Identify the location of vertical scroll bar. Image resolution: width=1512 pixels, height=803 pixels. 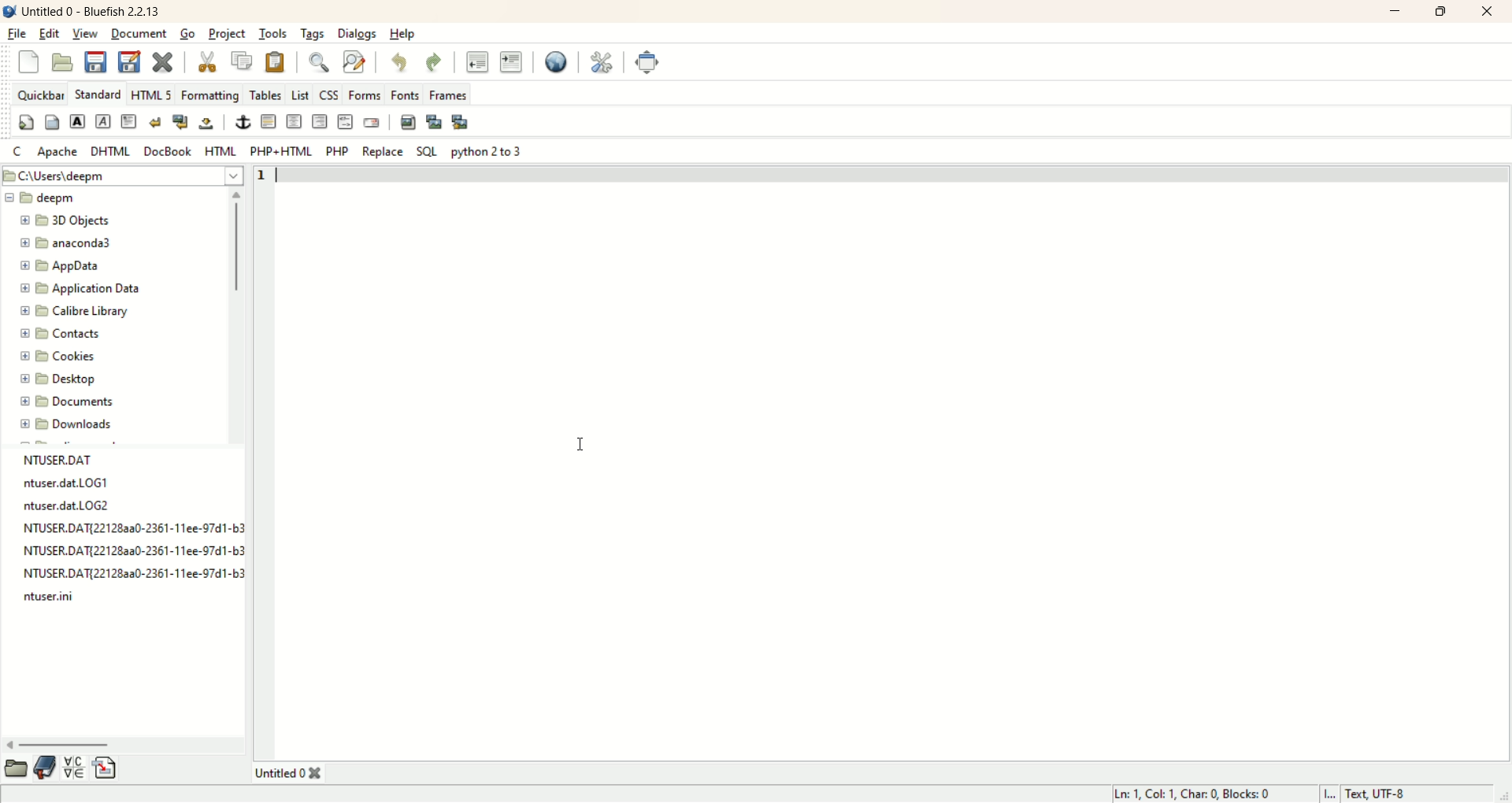
(235, 309).